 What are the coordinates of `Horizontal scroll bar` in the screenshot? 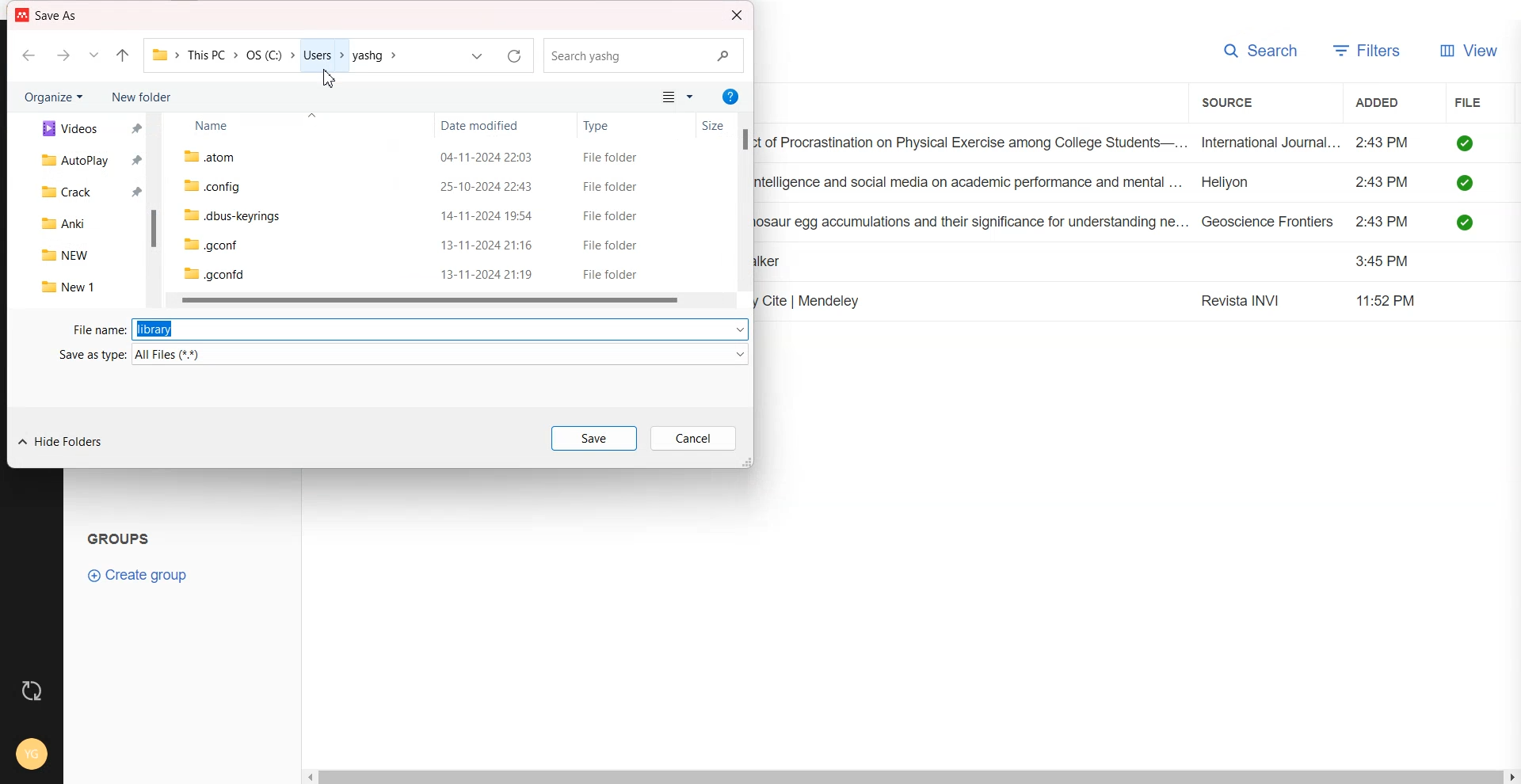 It's located at (451, 299).